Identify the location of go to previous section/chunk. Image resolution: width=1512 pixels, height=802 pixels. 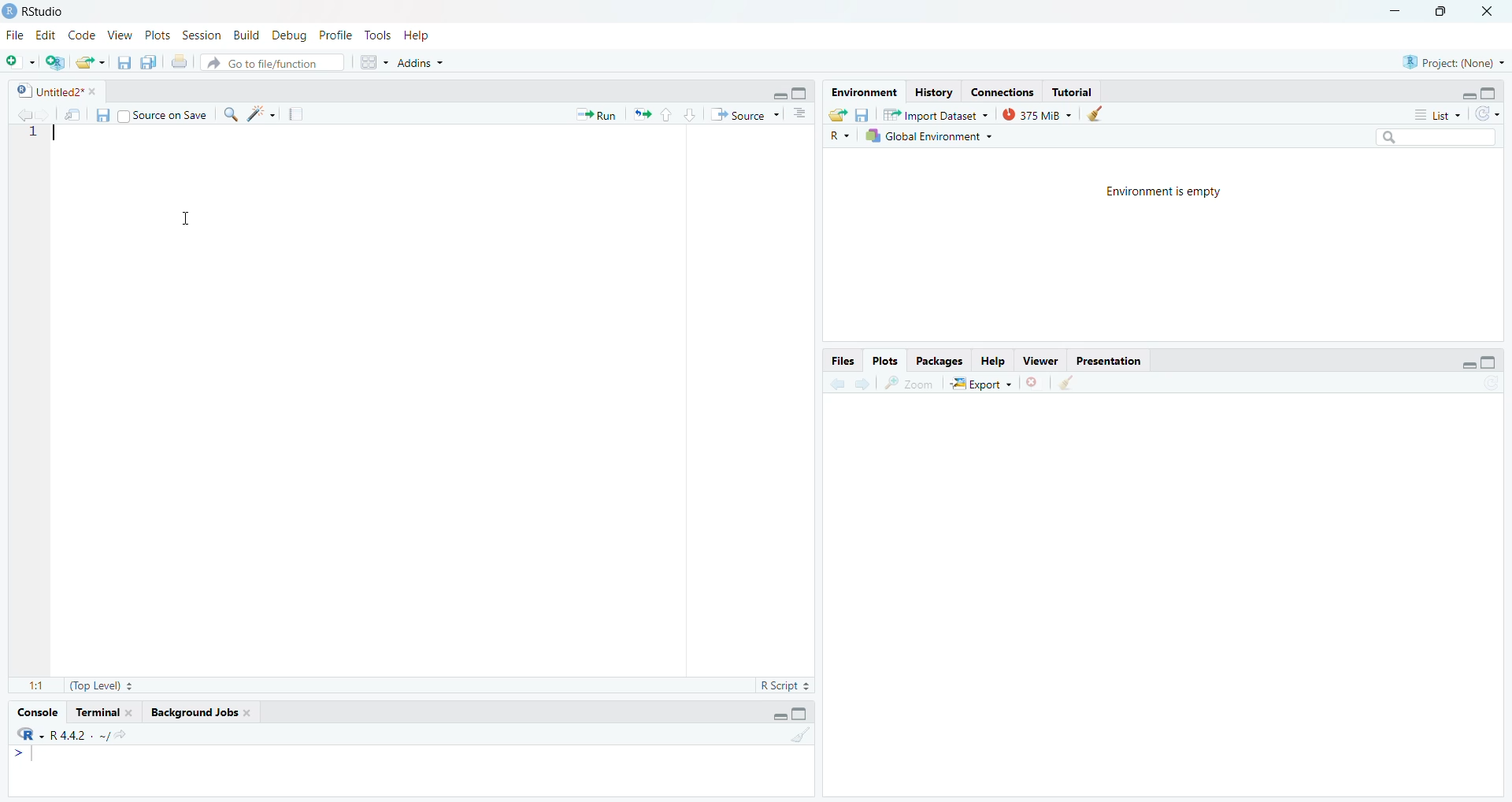
(665, 116).